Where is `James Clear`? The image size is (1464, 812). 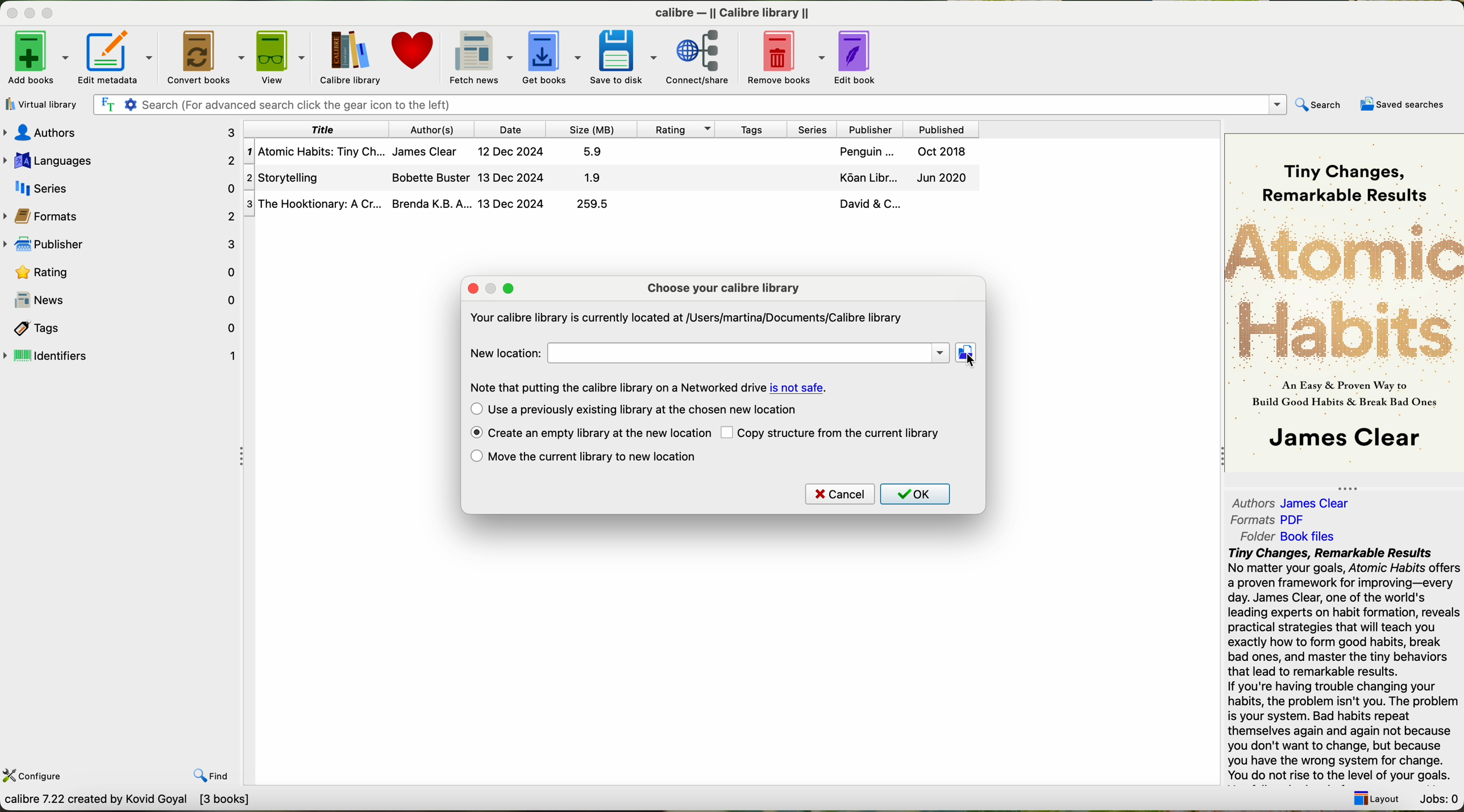 James Clear is located at coordinates (1343, 440).